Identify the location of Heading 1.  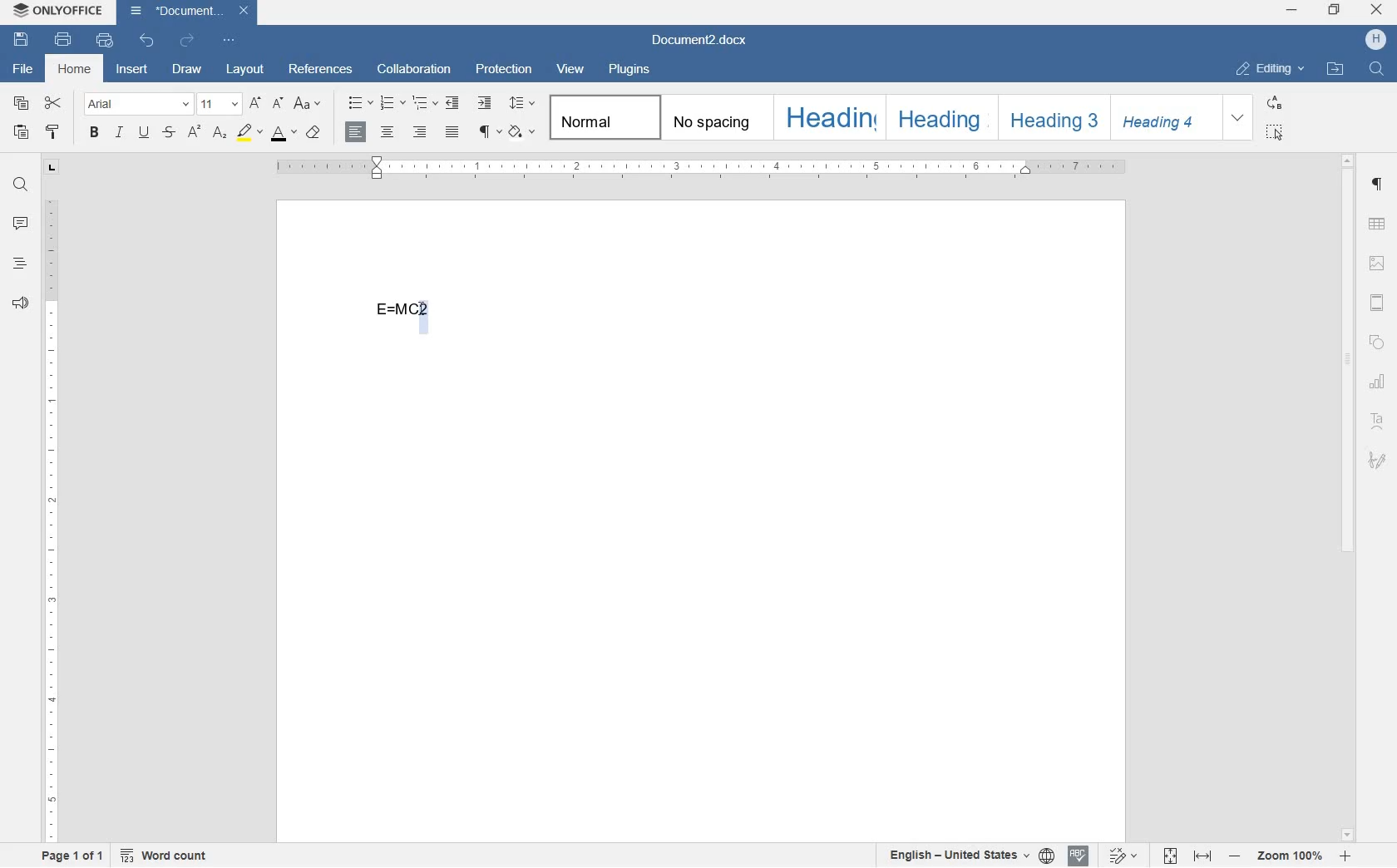
(827, 116).